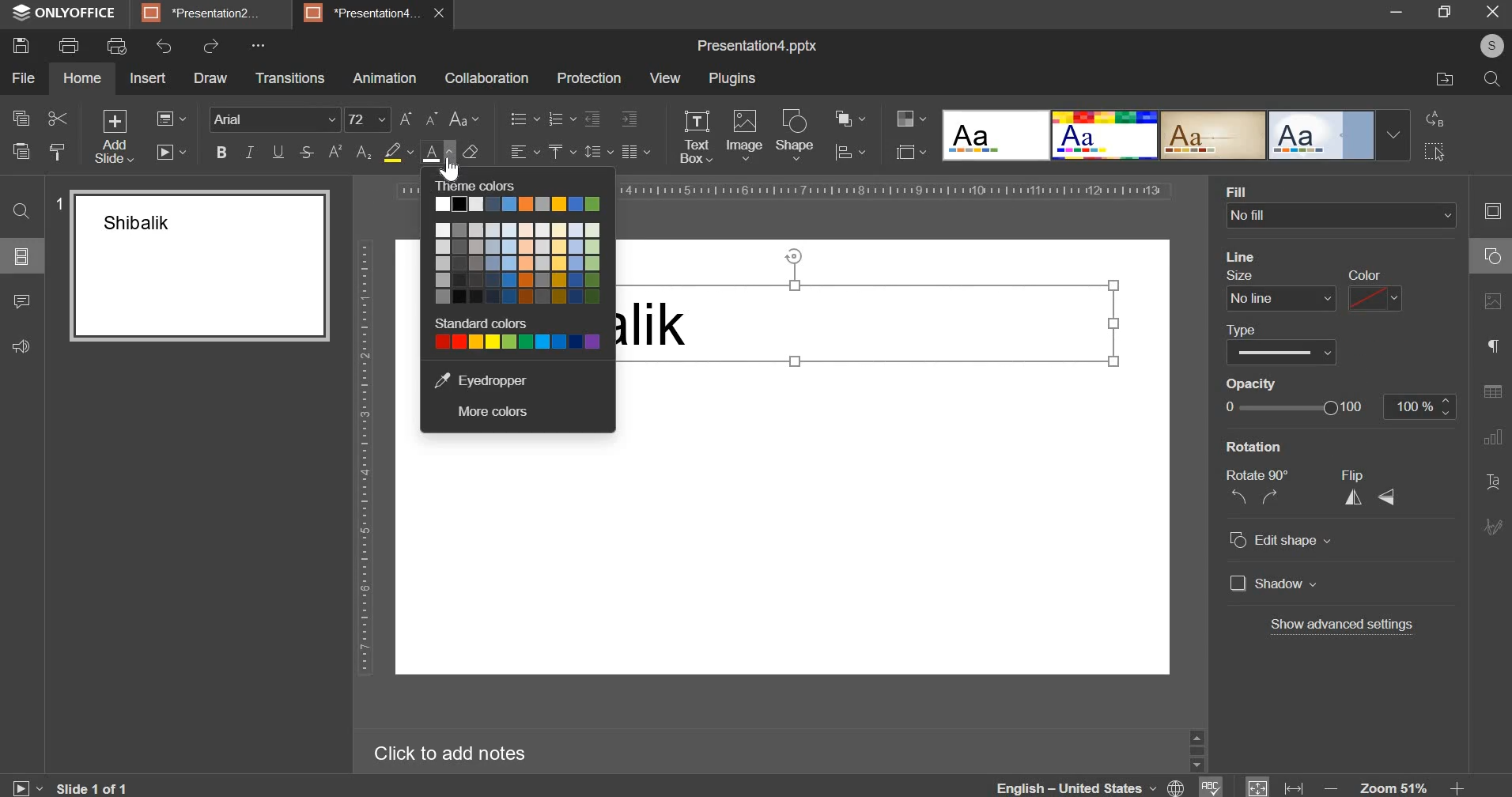 The width and height of the screenshot is (1512, 797). I want to click on recently used text colors, so click(517, 202).